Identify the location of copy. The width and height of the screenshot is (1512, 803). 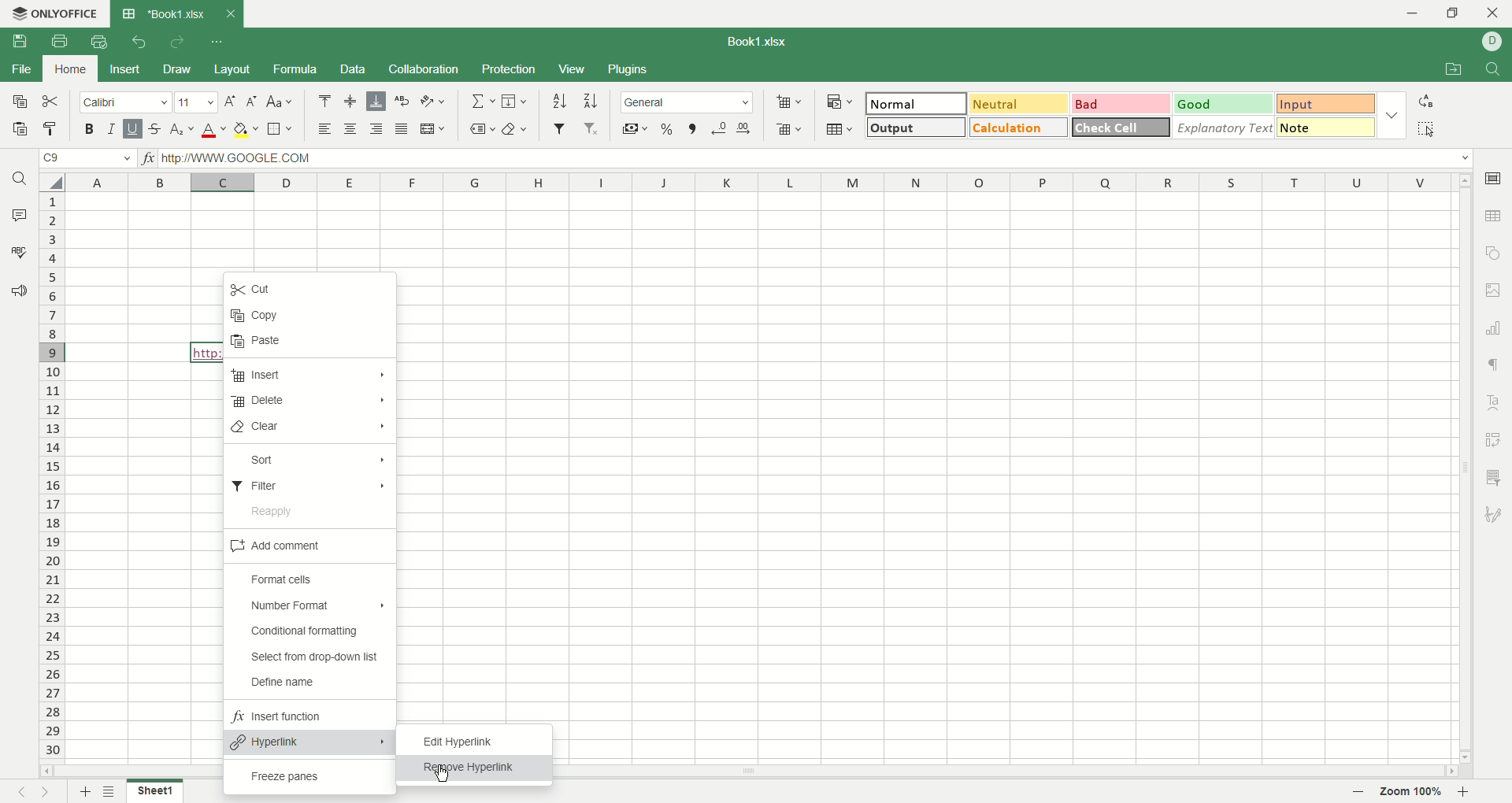
(19, 102).